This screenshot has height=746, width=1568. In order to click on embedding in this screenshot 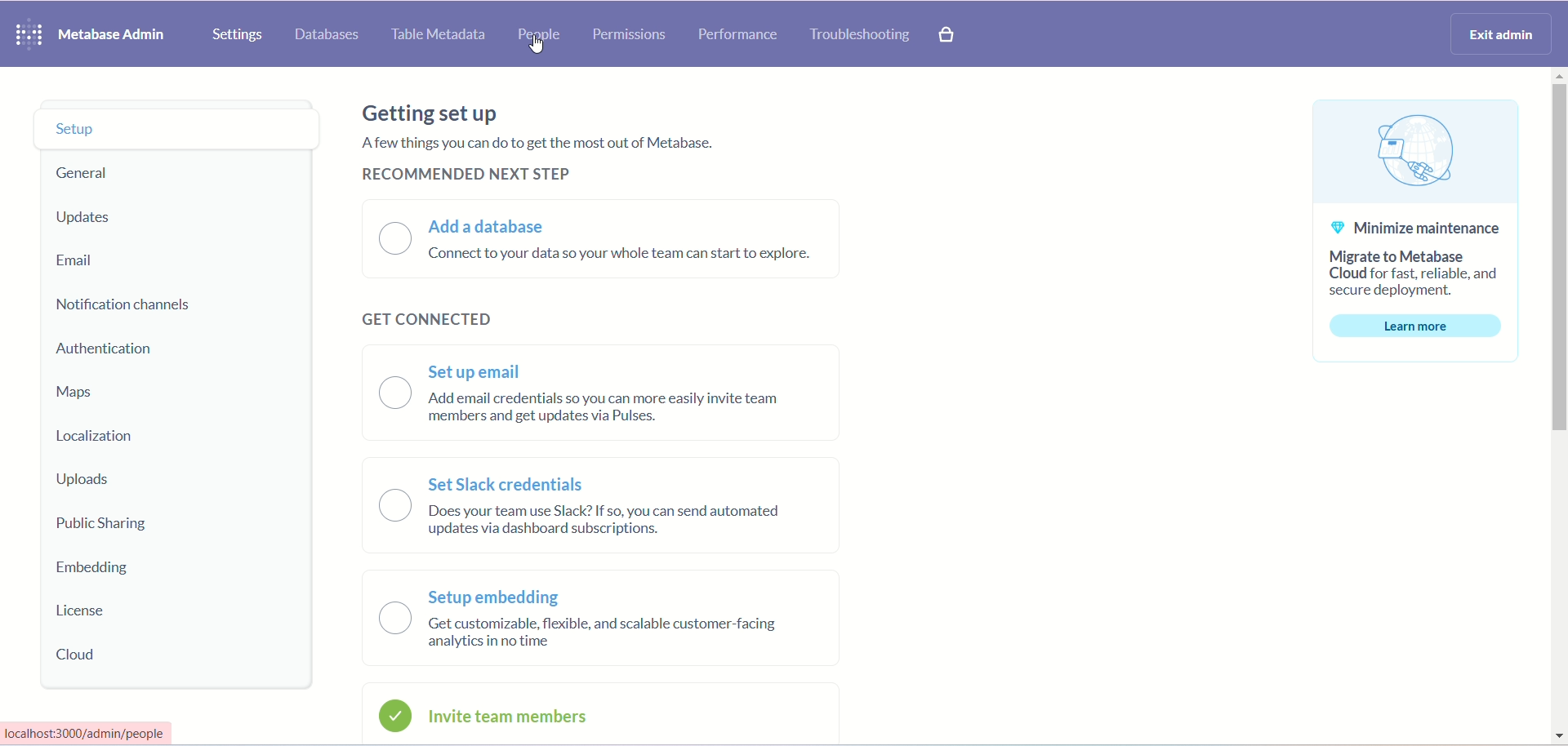, I will do `click(96, 567)`.